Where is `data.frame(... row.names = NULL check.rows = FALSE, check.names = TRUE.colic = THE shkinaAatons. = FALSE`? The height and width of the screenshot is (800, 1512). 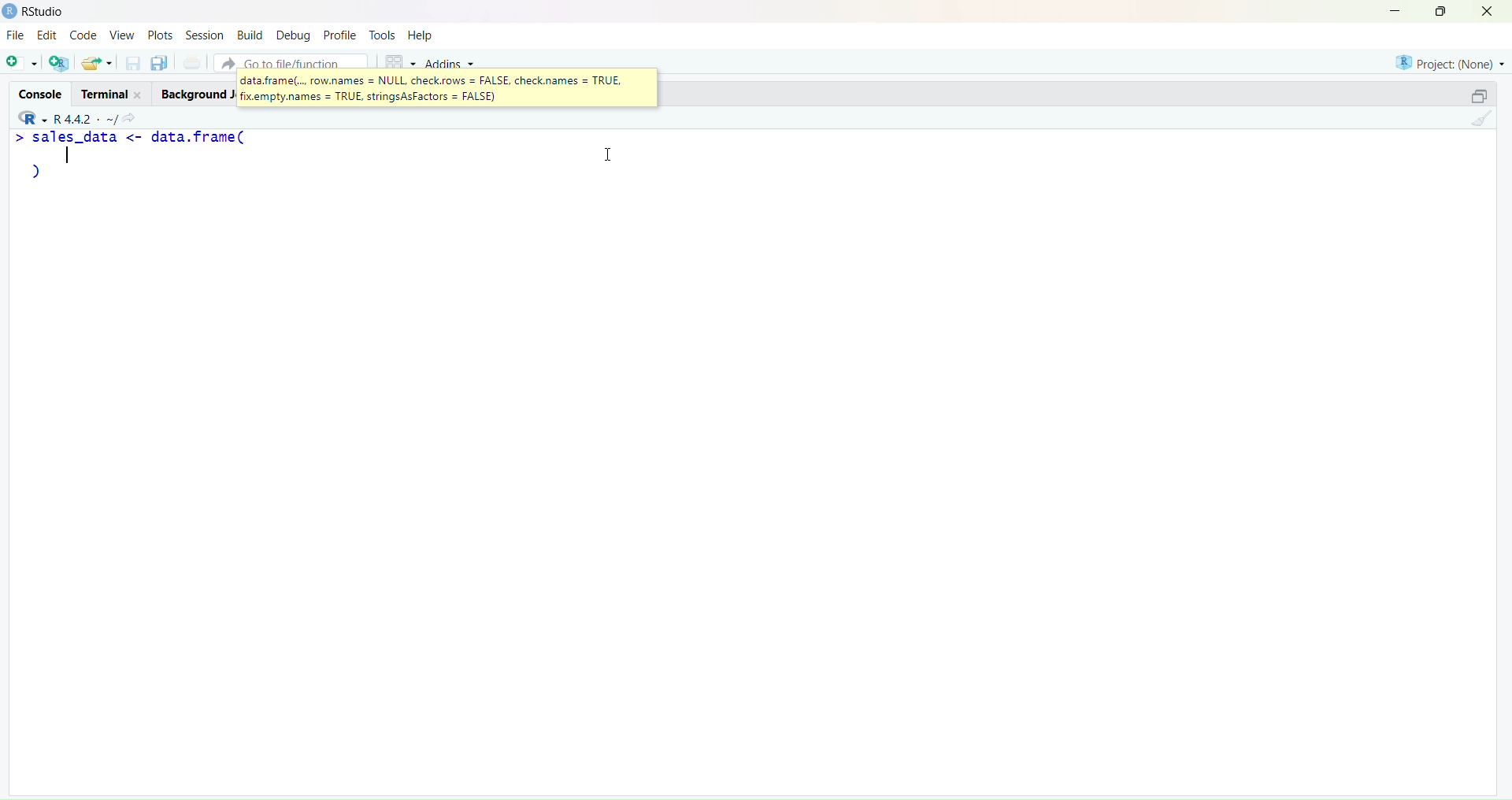
data.frame(... row.names = NULL check.rows = FALSE, check.names = TRUE.colic = THE shkinaAatons. = FALSE is located at coordinates (433, 88).